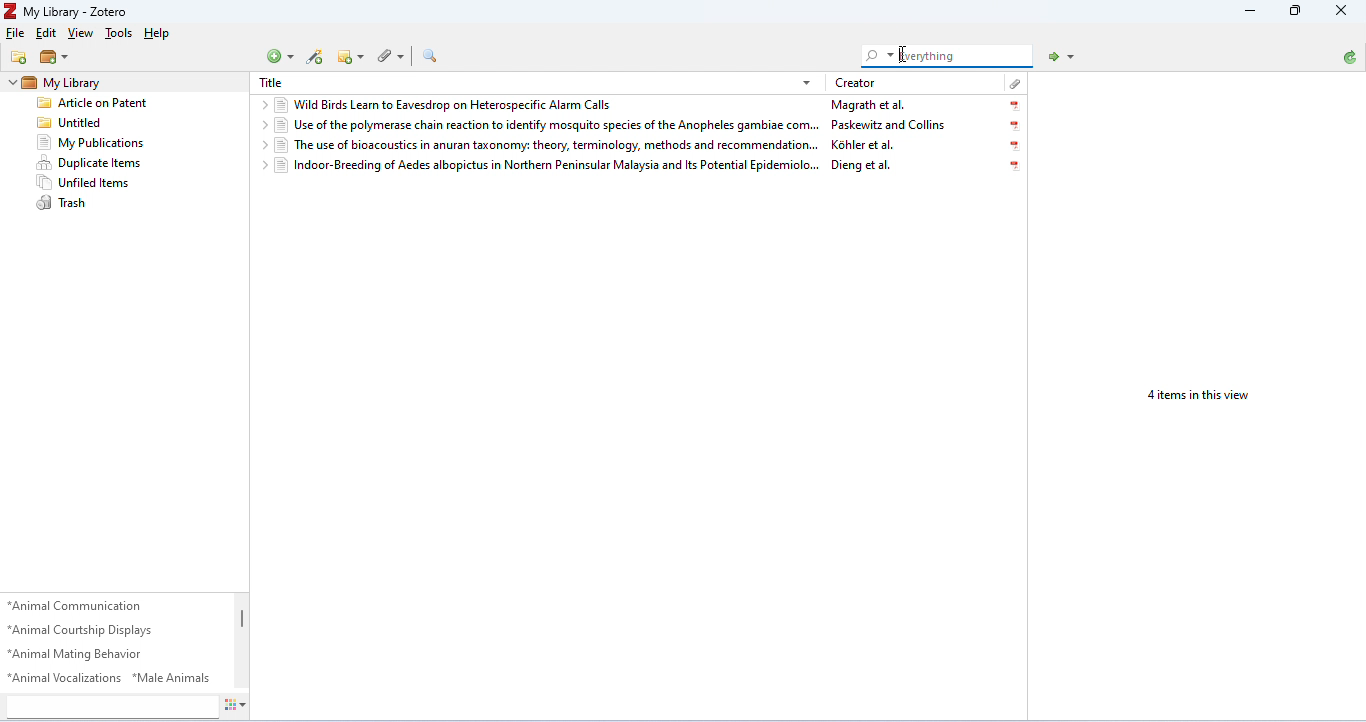 Image resolution: width=1366 pixels, height=722 pixels. What do you see at coordinates (1252, 11) in the screenshot?
I see `Restore Down` at bounding box center [1252, 11].